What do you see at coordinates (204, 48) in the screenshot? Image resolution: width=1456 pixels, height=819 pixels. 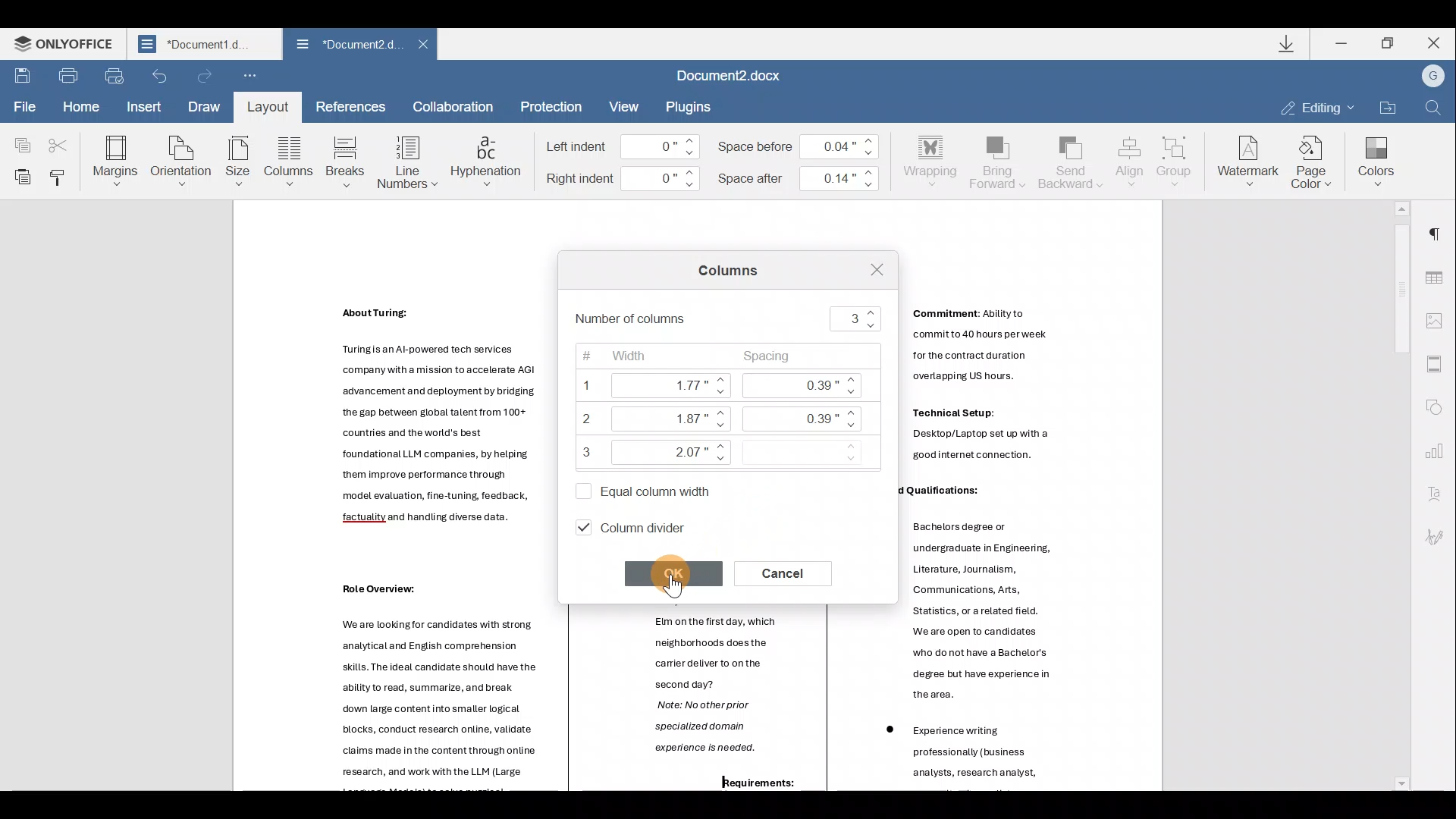 I see `Document2.d` at bounding box center [204, 48].